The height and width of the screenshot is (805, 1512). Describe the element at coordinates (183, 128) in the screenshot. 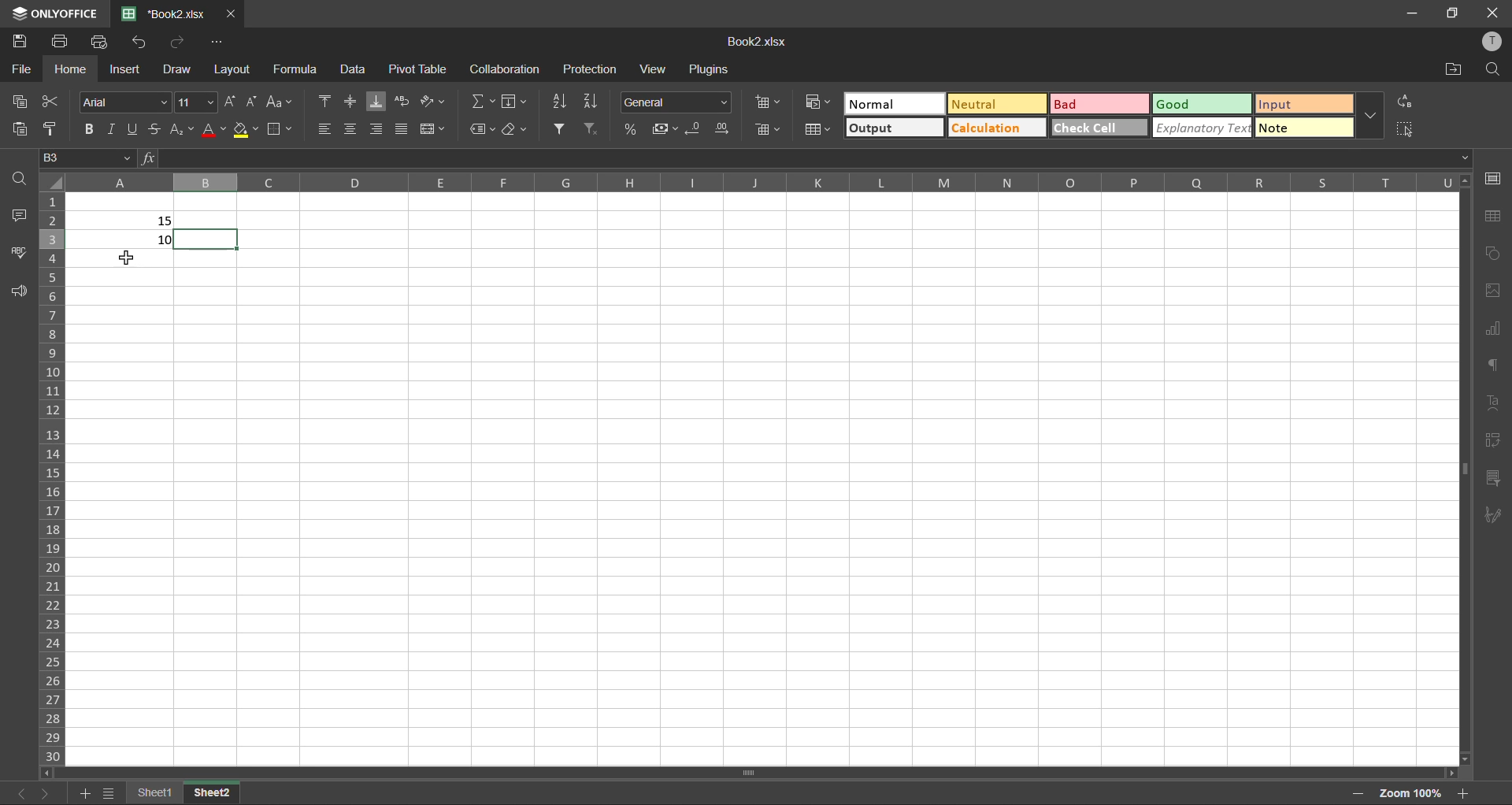

I see `sub/superscript` at that location.